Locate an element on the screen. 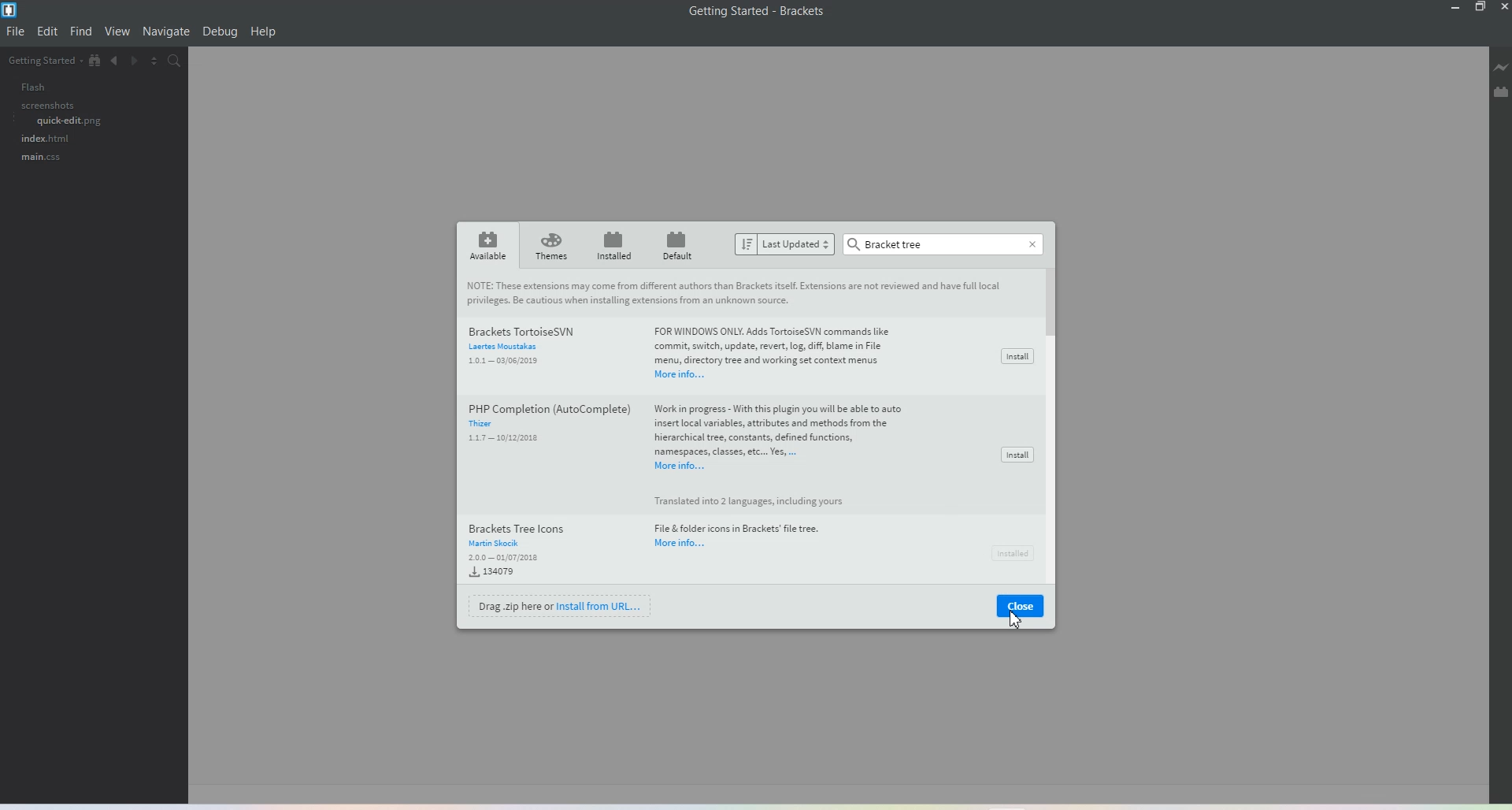  Debug is located at coordinates (220, 32).